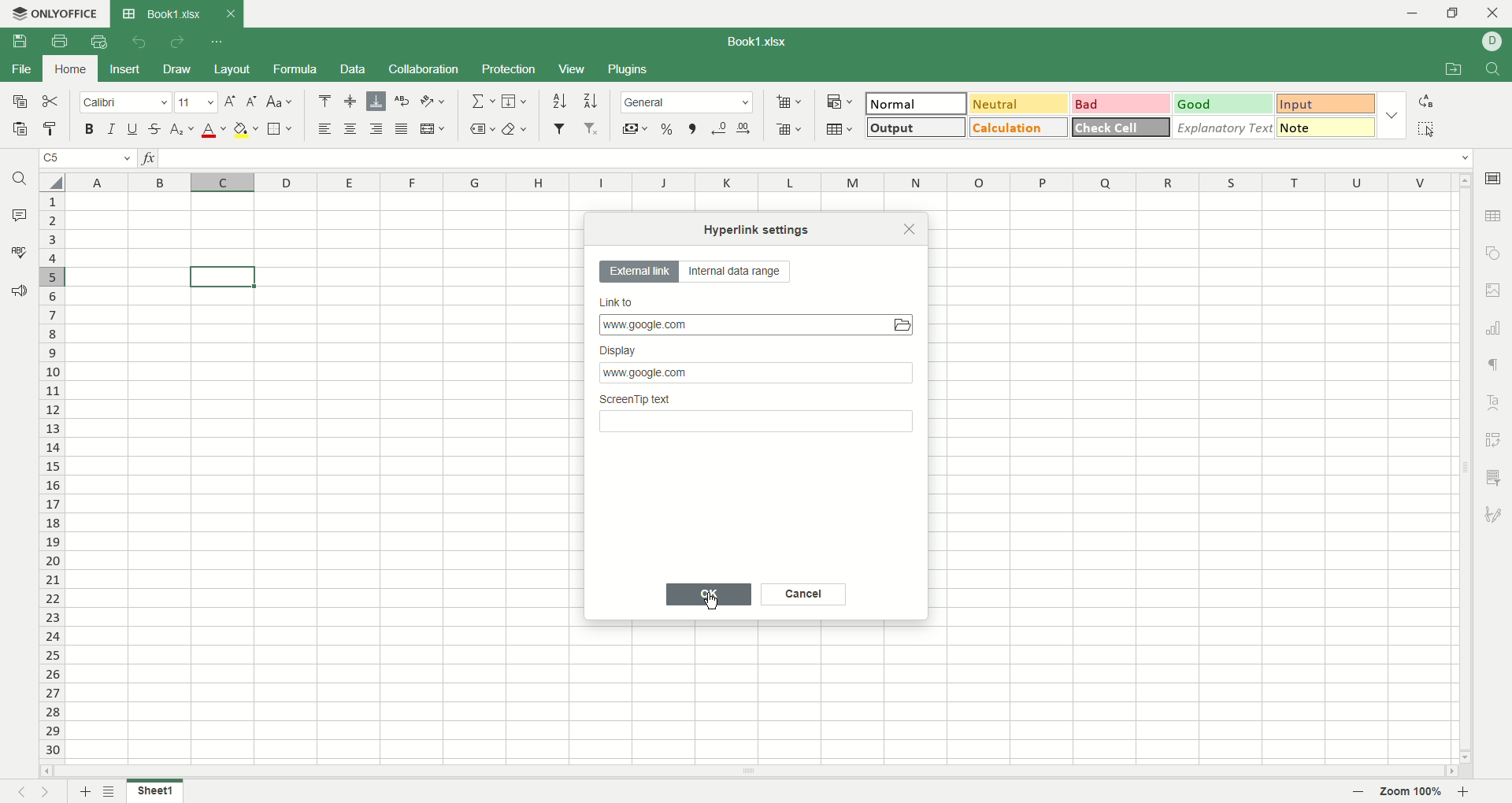 The height and width of the screenshot is (803, 1512). What do you see at coordinates (837, 100) in the screenshot?
I see `conditional formatting` at bounding box center [837, 100].